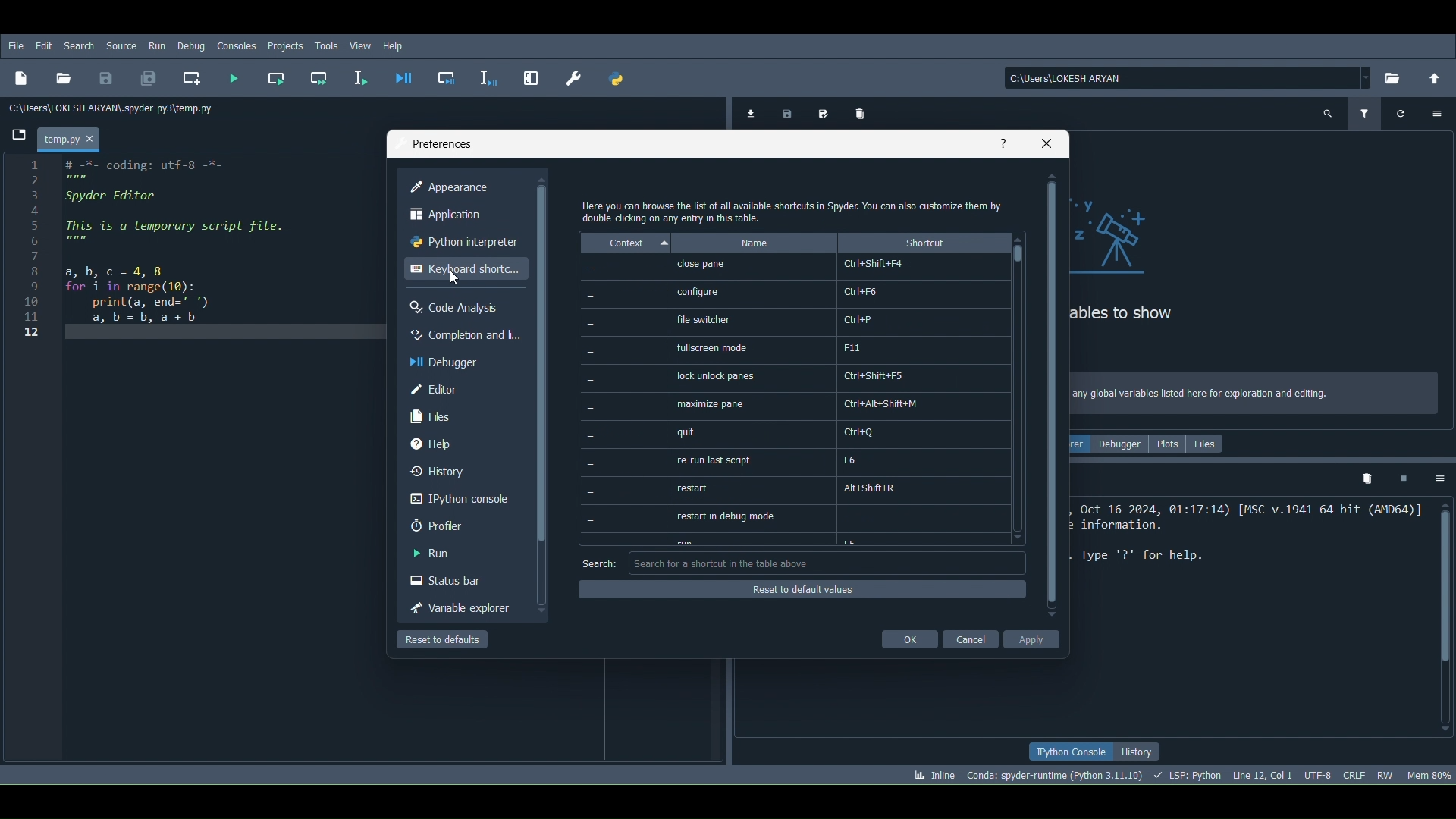 Image resolution: width=1456 pixels, height=819 pixels. I want to click on Run selection or current line (F9), so click(358, 74).